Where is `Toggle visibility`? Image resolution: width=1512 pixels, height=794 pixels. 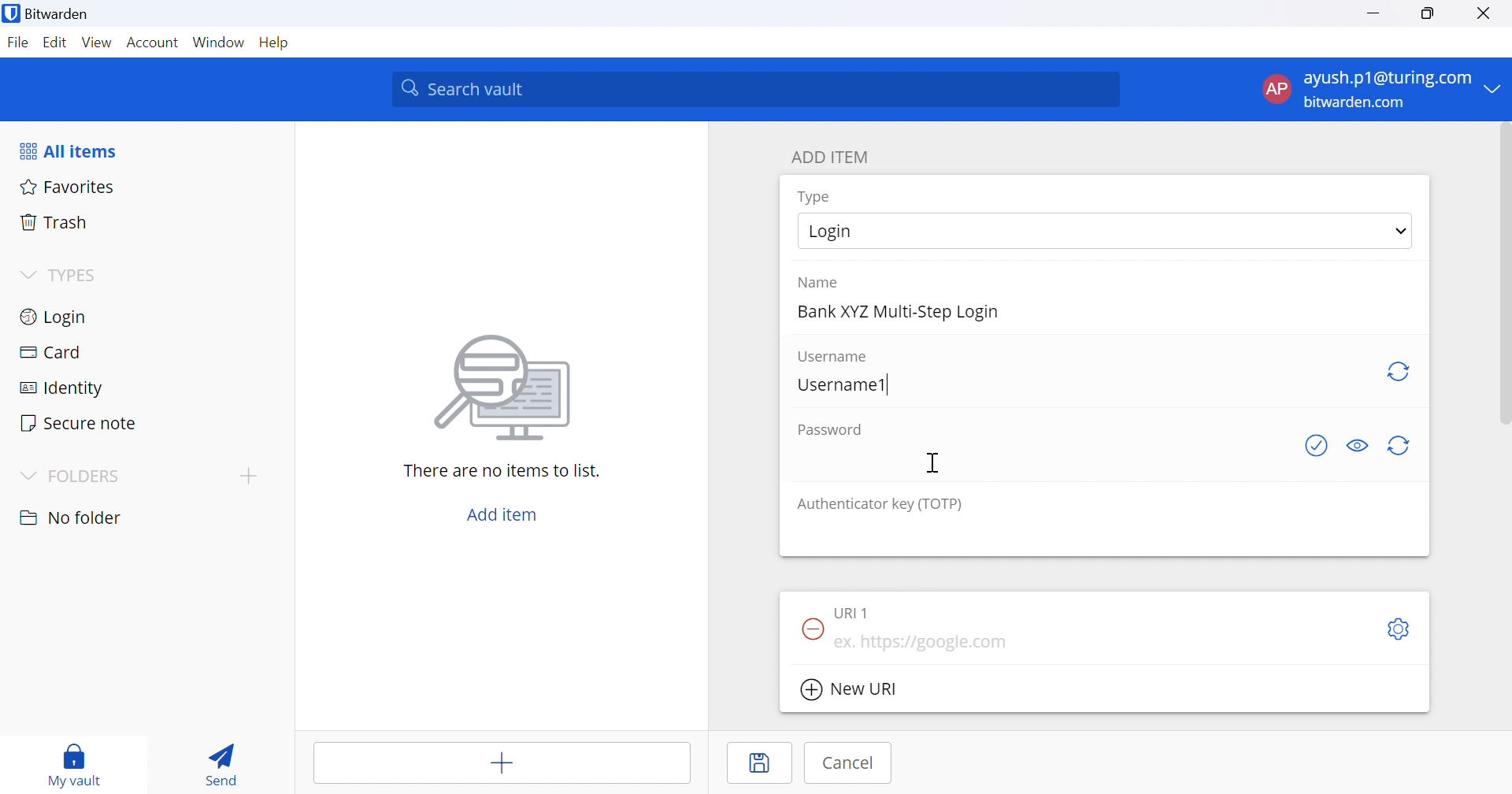
Toggle visibility is located at coordinates (1357, 446).